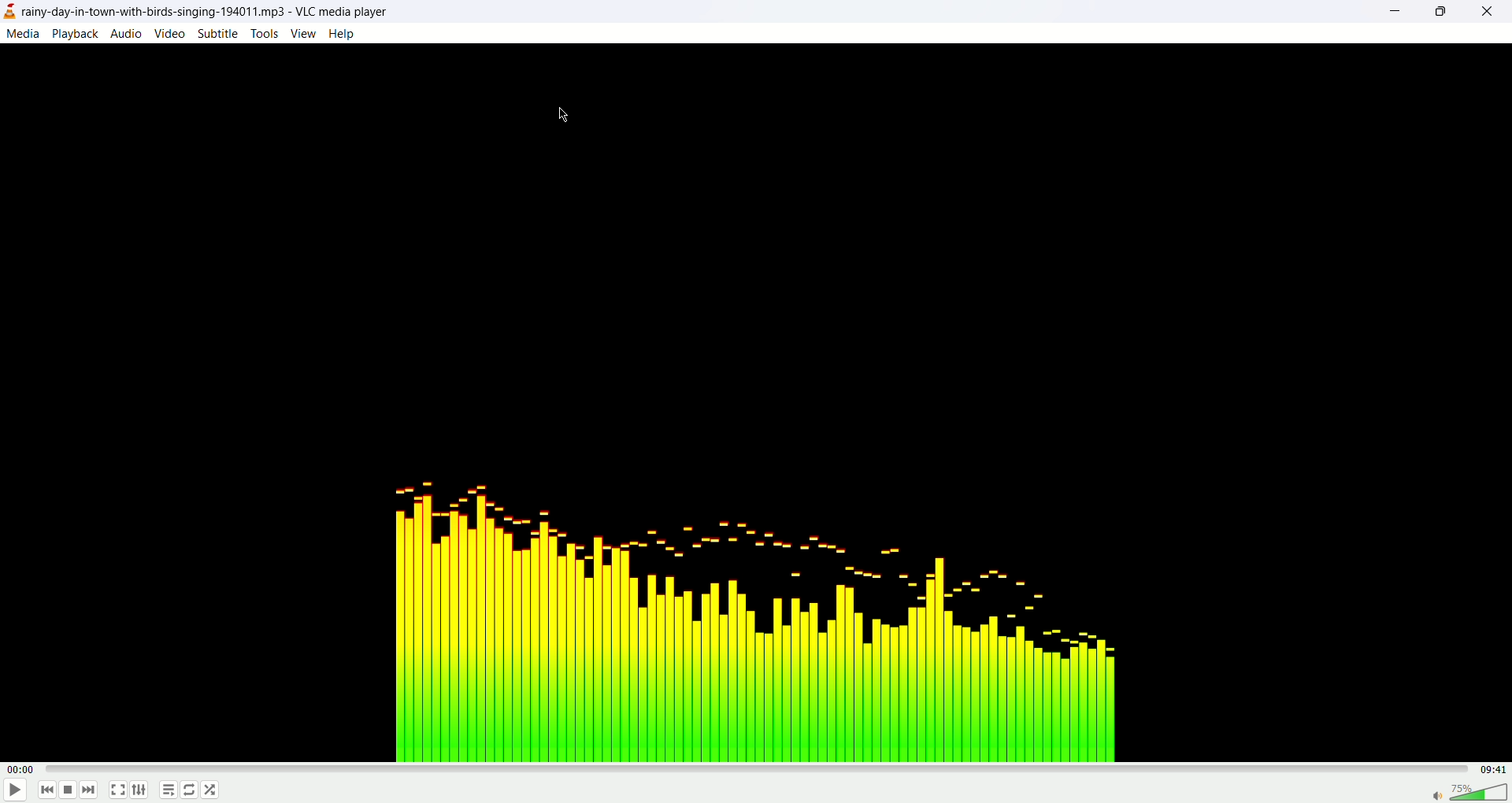 This screenshot has width=1512, height=803. Describe the element at coordinates (69, 792) in the screenshot. I see `stop` at that location.